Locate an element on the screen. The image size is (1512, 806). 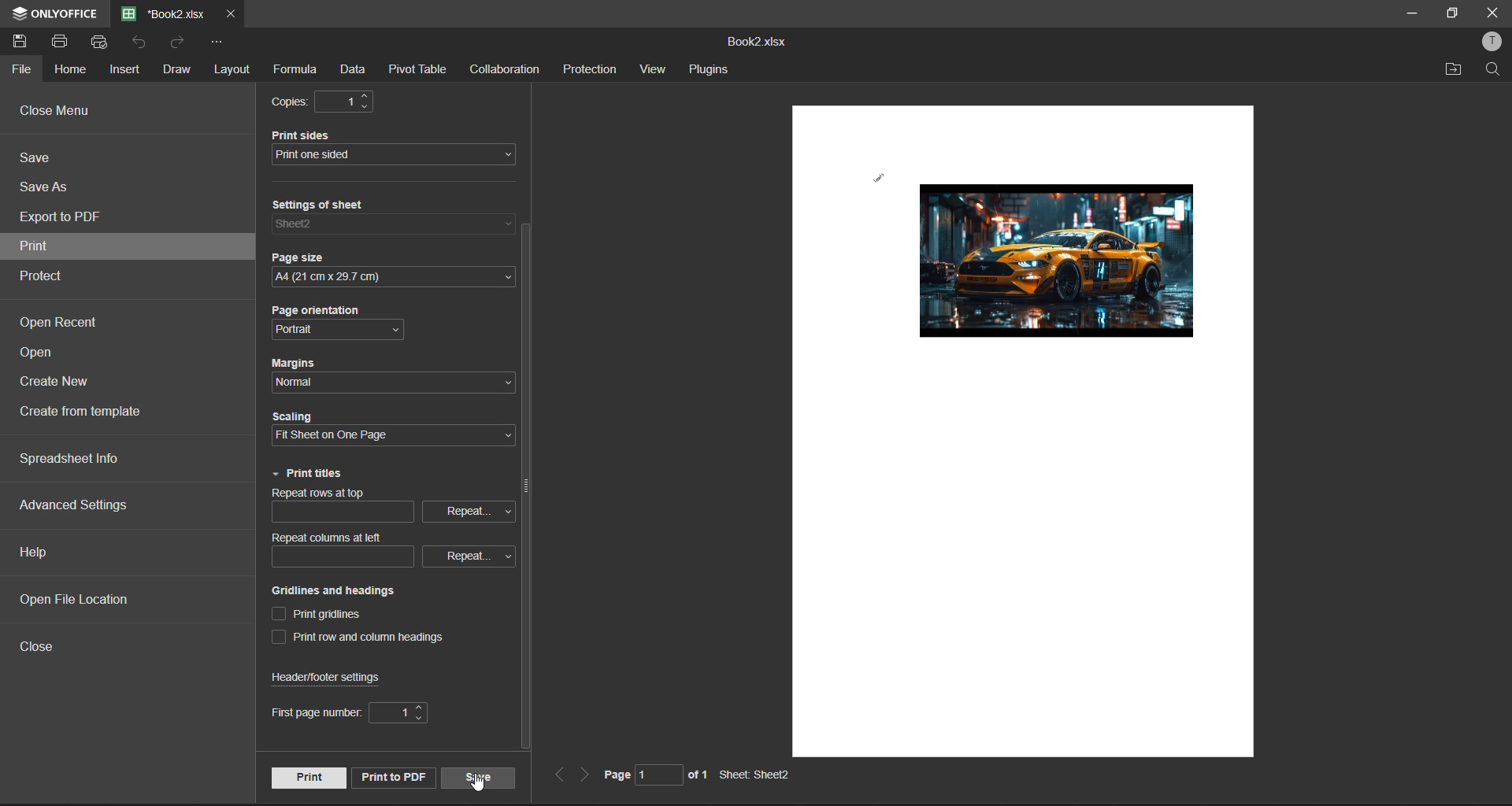
view is located at coordinates (656, 69).